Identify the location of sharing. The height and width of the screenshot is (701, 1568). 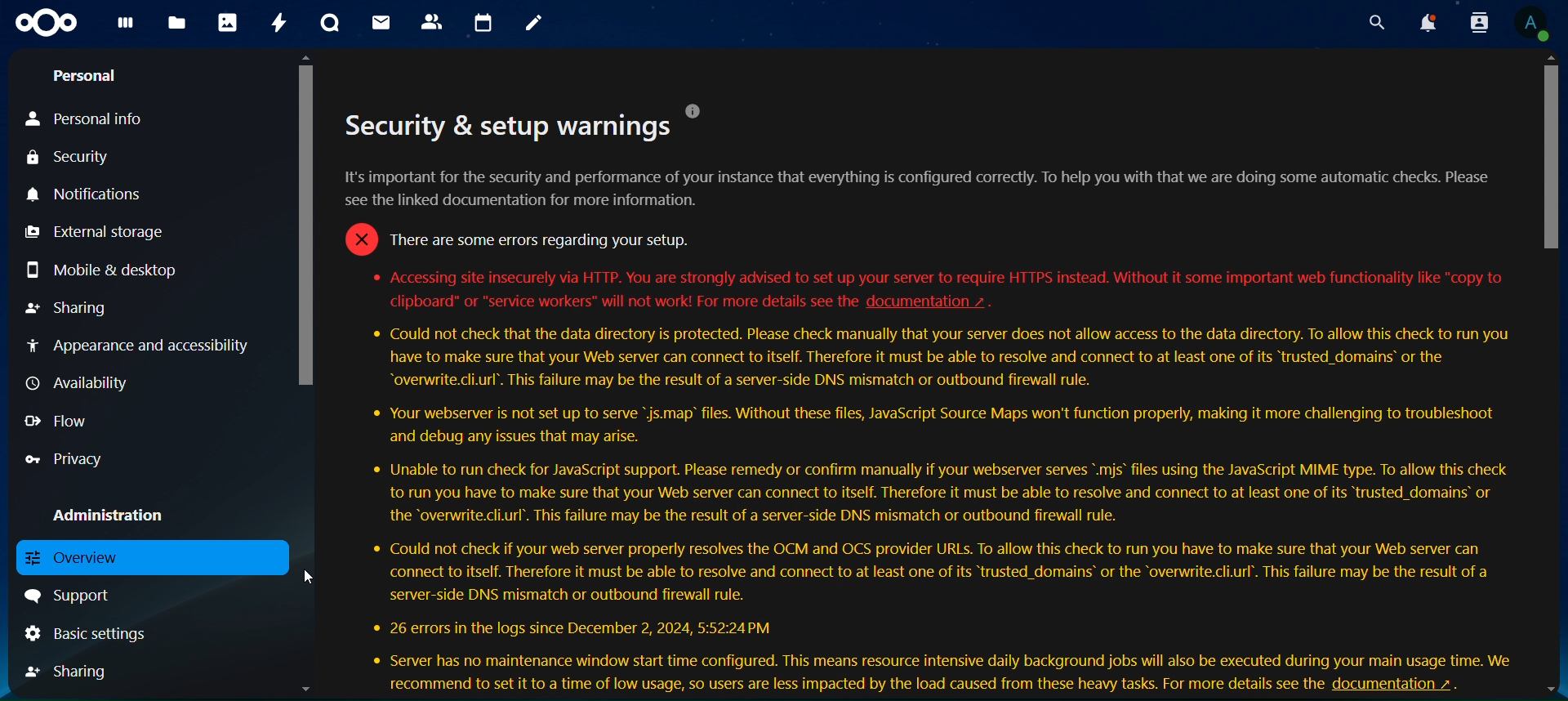
(69, 308).